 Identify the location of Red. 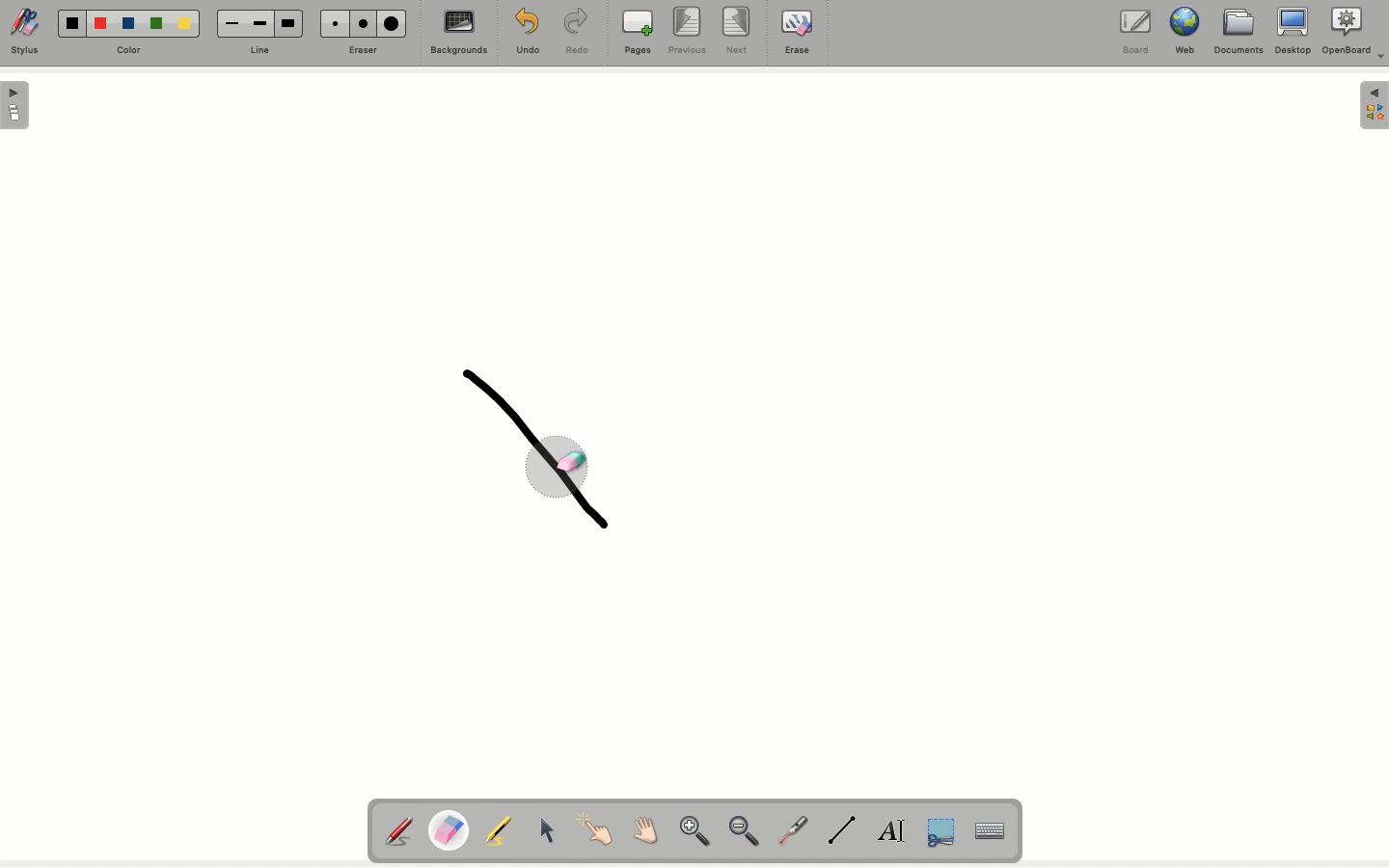
(101, 26).